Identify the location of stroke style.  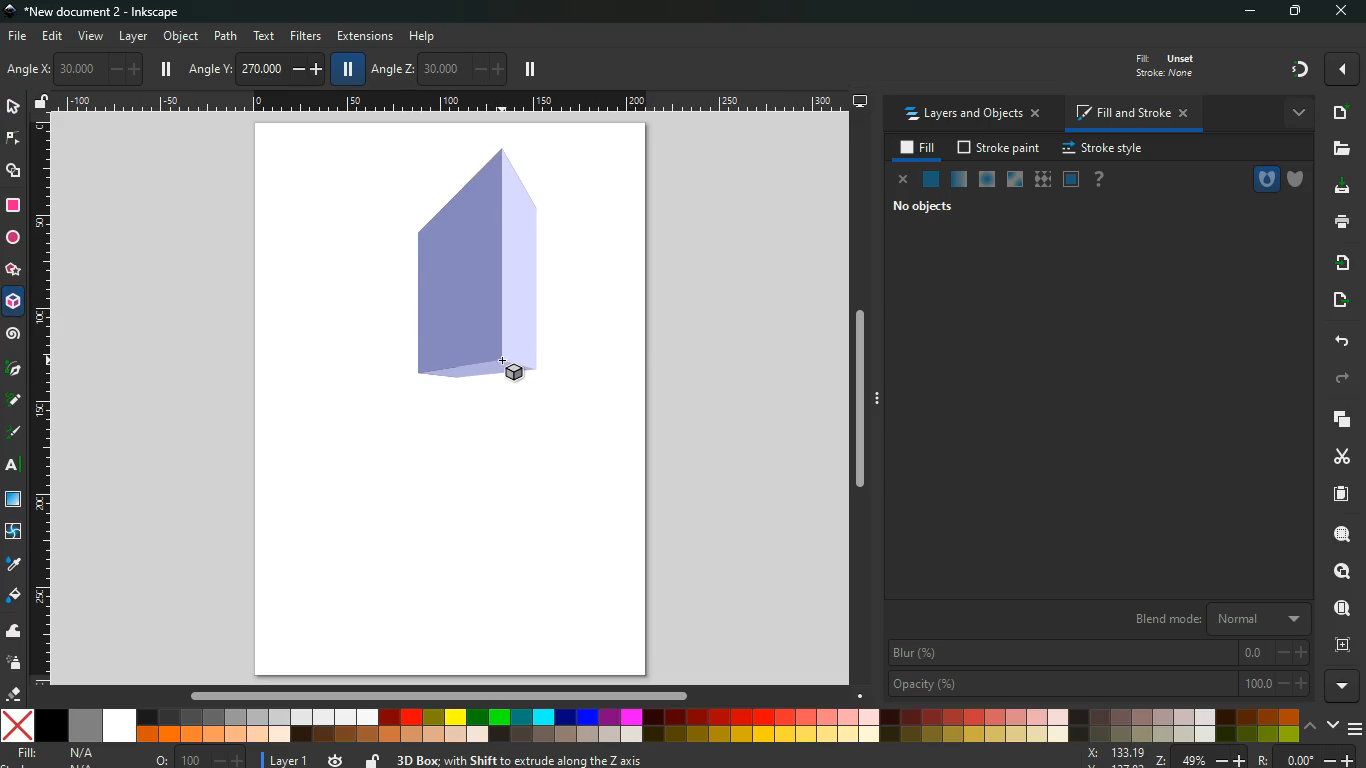
(1102, 149).